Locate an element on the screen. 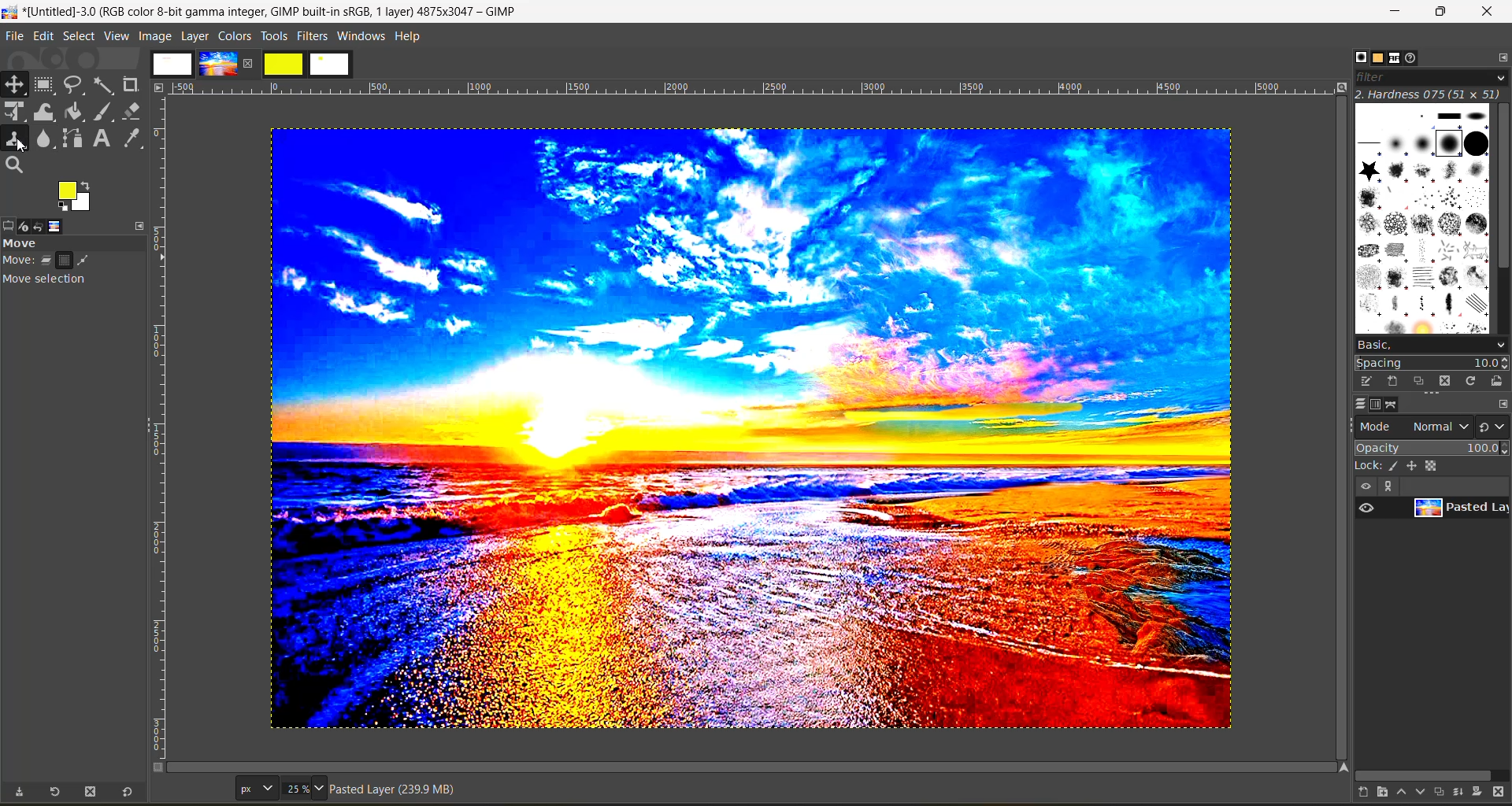 The height and width of the screenshot is (806, 1512). save tool preset is located at coordinates (18, 792).